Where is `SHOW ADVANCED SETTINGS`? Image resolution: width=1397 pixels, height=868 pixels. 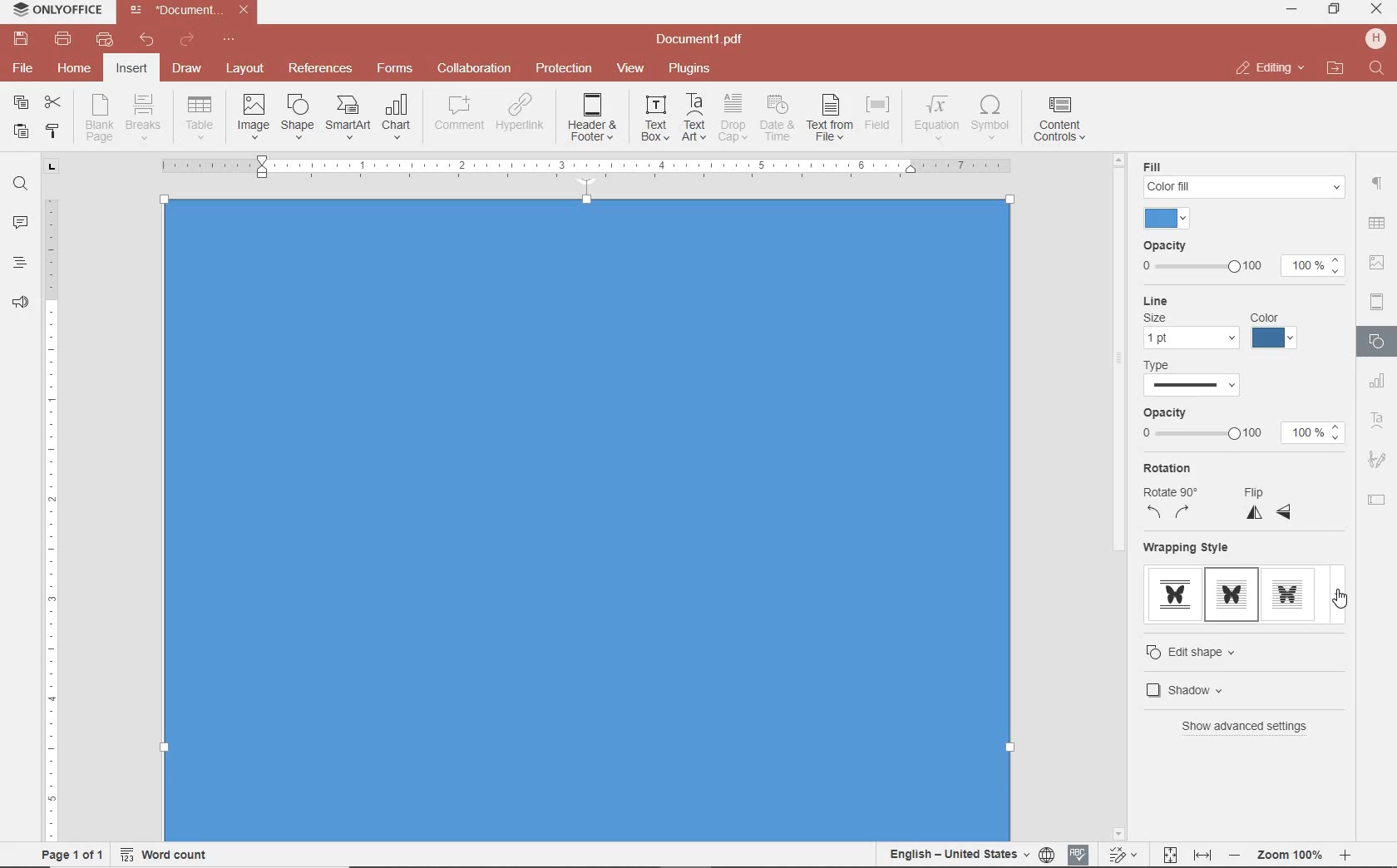
SHOW ADVANCED SETTINGS is located at coordinates (1248, 732).